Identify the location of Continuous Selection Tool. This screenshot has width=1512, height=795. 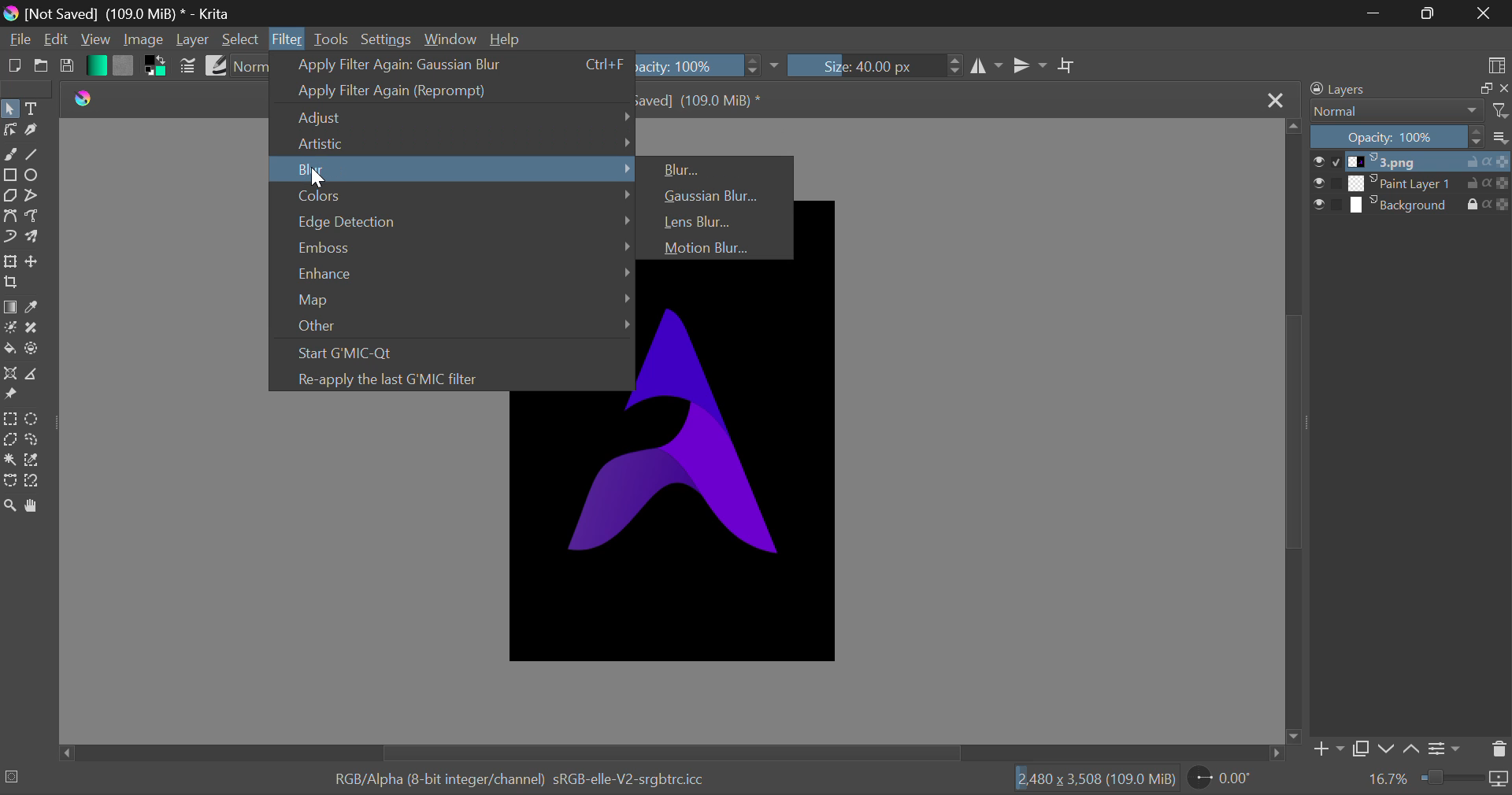
(9, 460).